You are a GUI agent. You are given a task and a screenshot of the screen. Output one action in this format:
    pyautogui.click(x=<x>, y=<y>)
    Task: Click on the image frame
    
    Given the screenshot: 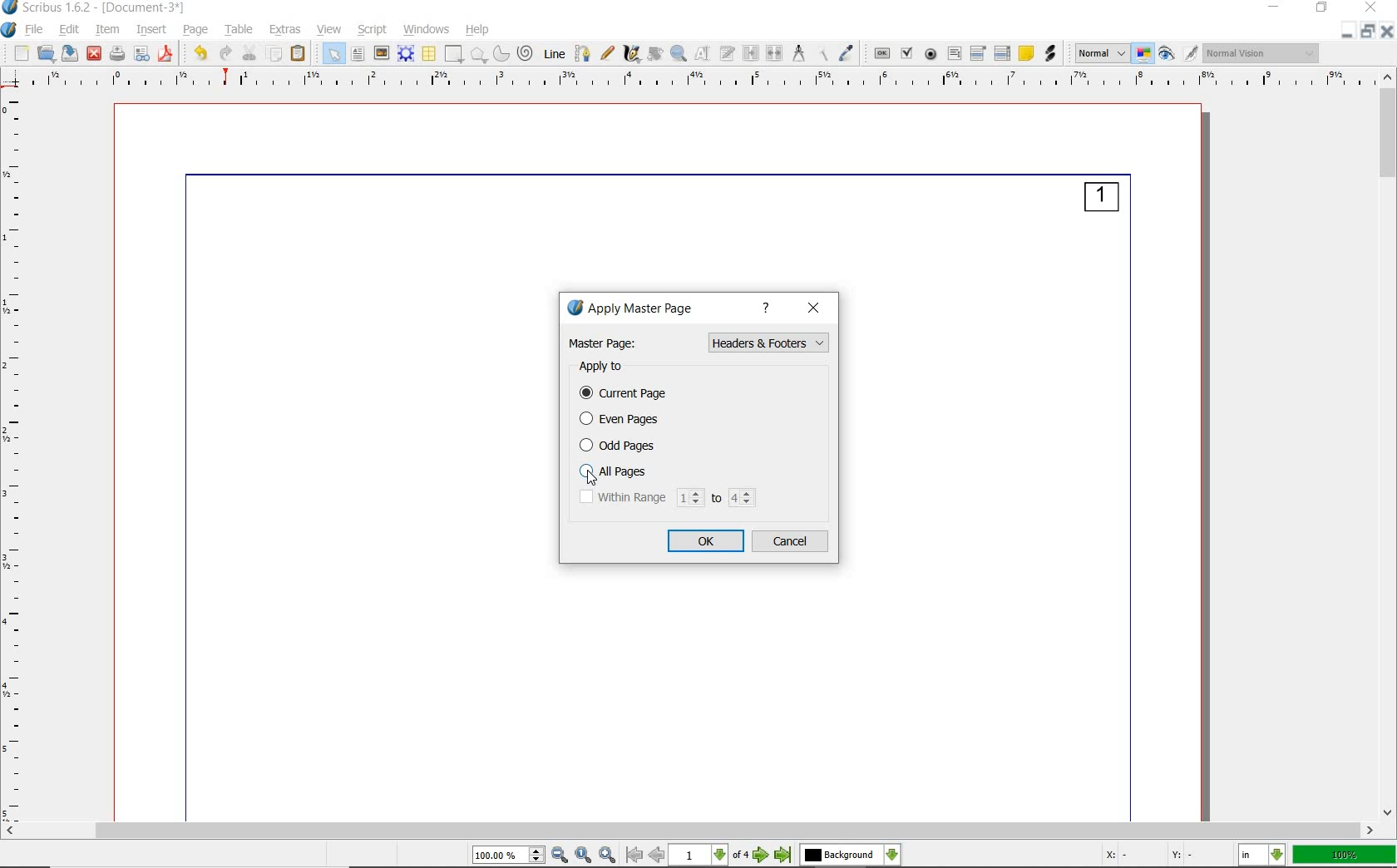 What is the action you would take?
    pyautogui.click(x=381, y=55)
    